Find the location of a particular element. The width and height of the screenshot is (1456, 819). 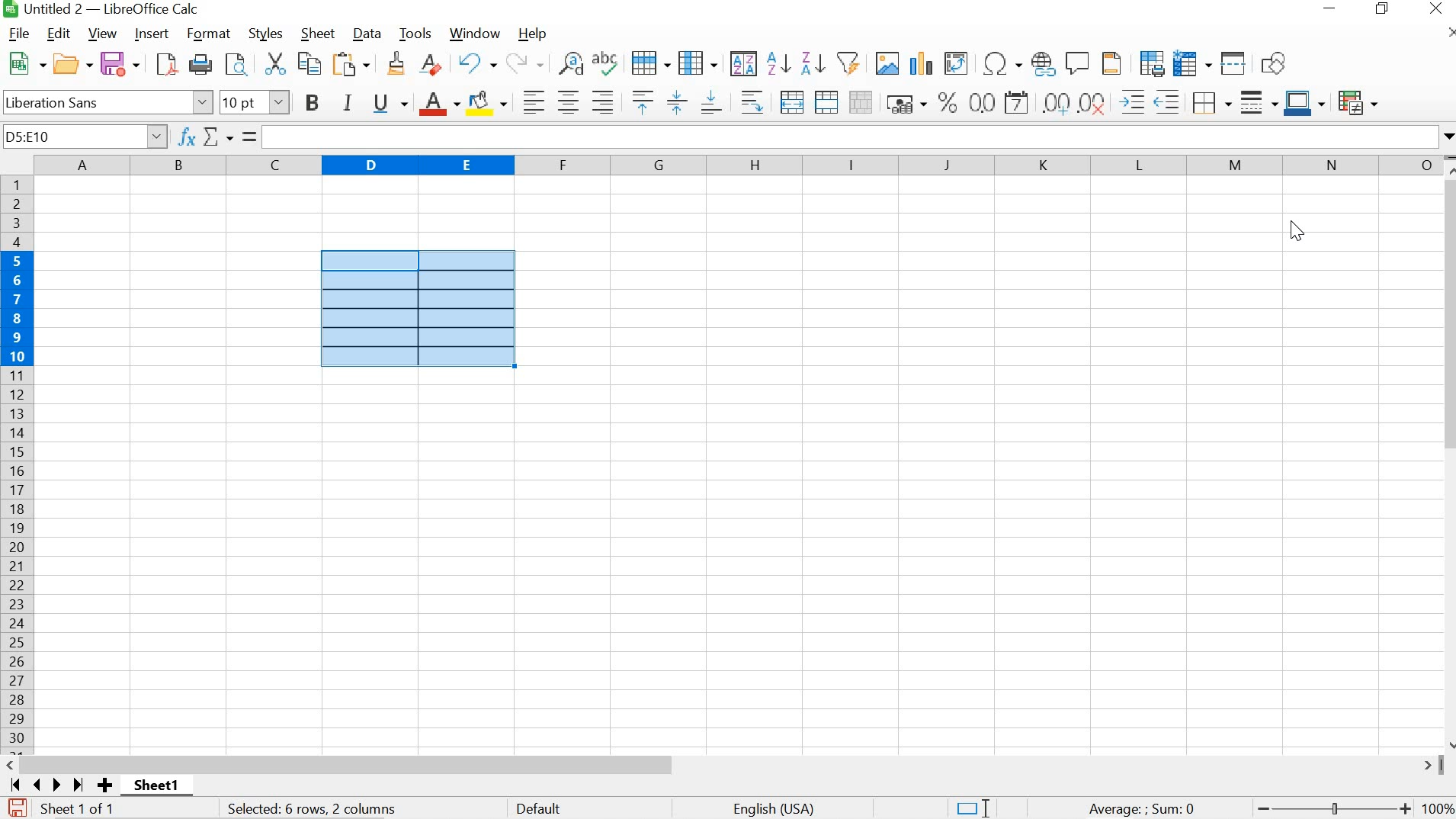

FORMAT AS NUMBER is located at coordinates (980, 101).